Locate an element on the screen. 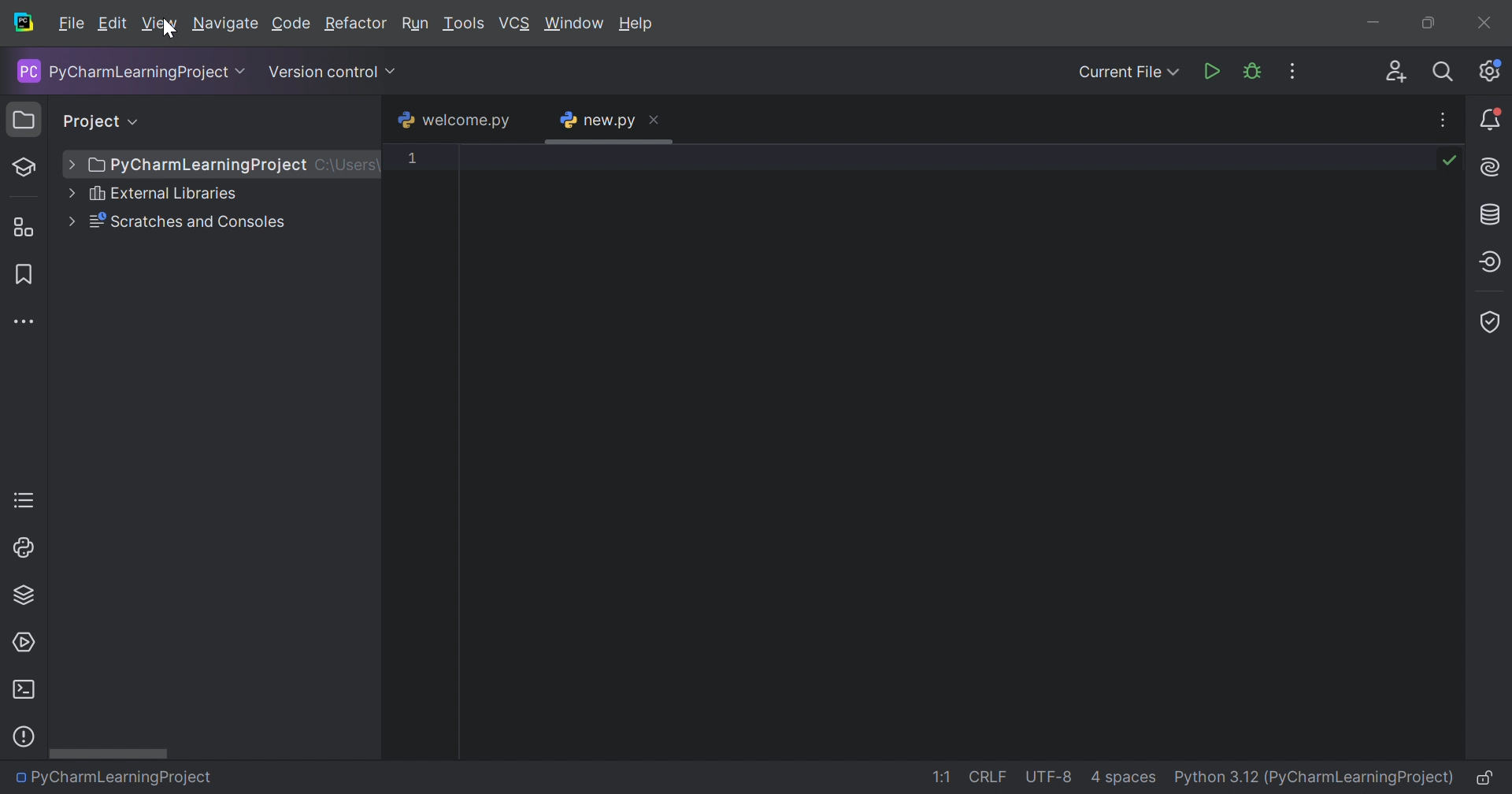  Project is located at coordinates (26, 118).